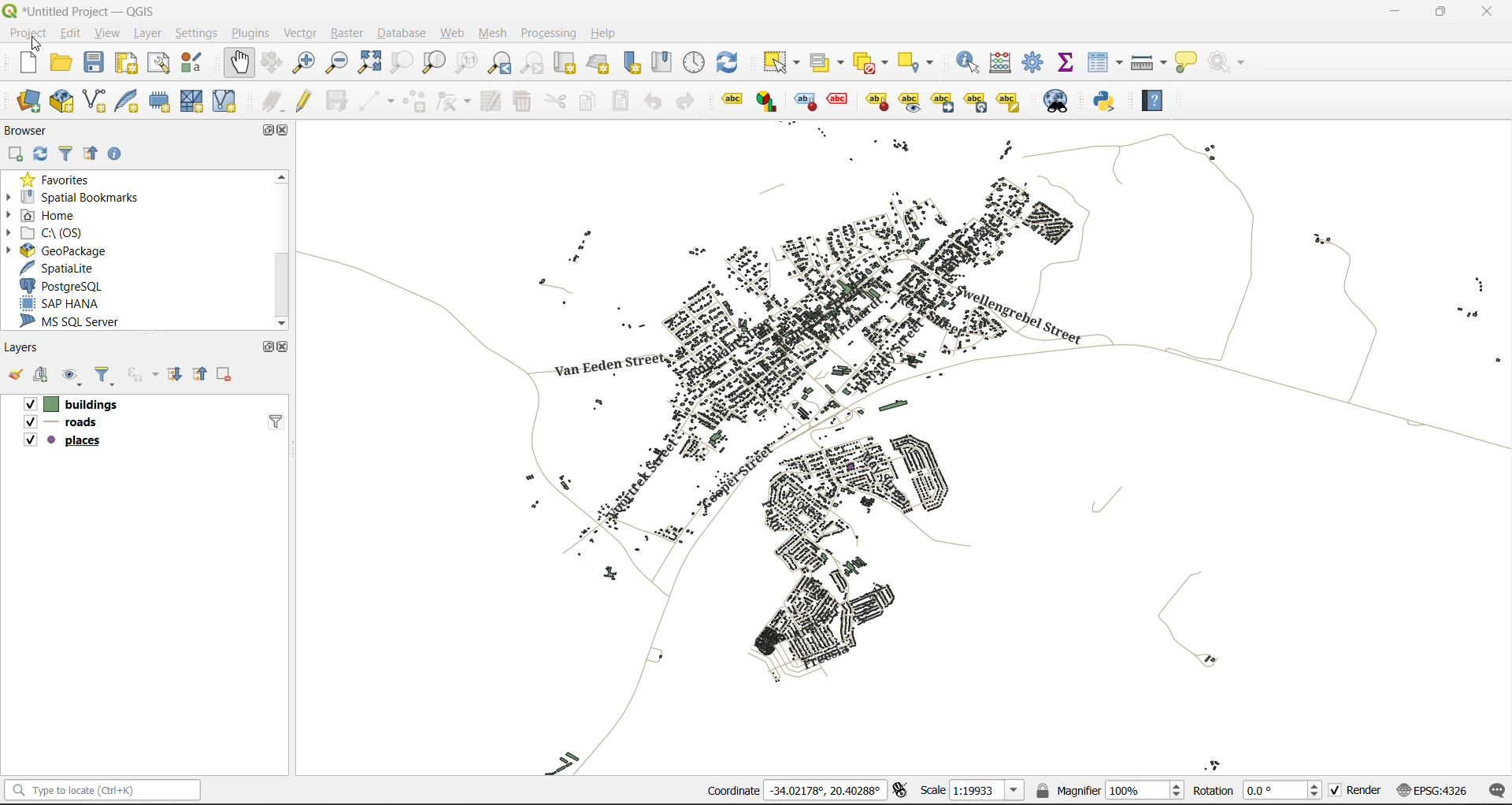  I want to click on close, so click(280, 347).